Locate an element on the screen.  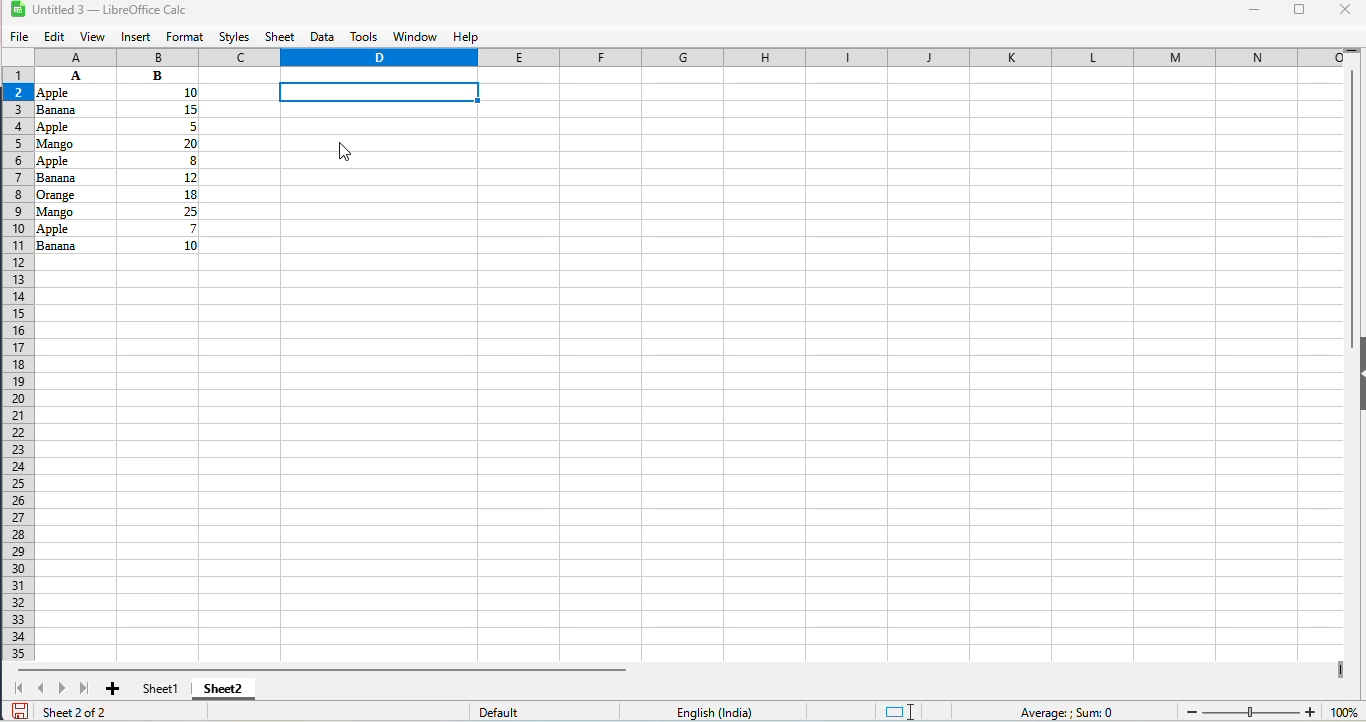
insert is located at coordinates (135, 37).